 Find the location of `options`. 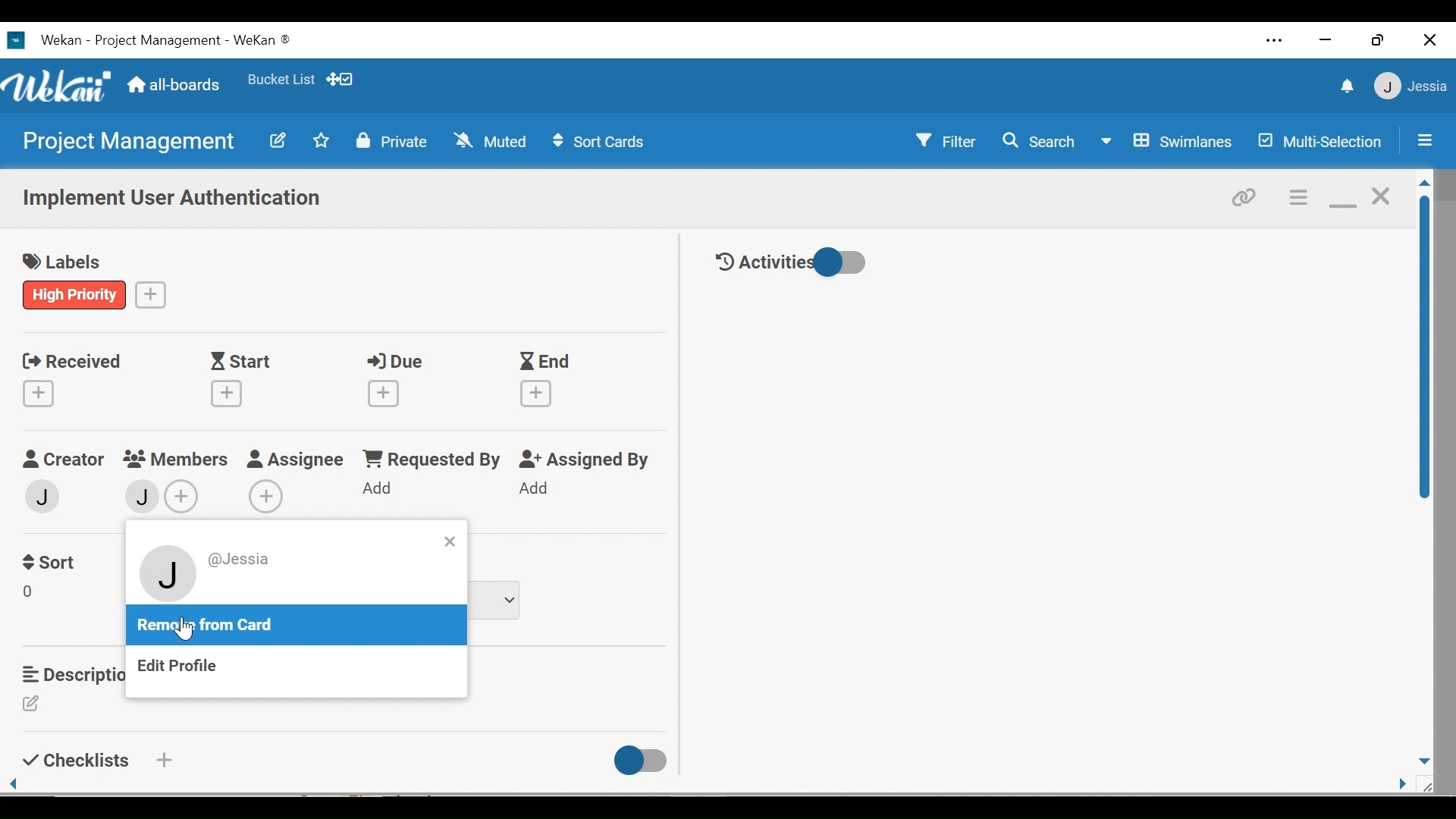

options is located at coordinates (1297, 196).